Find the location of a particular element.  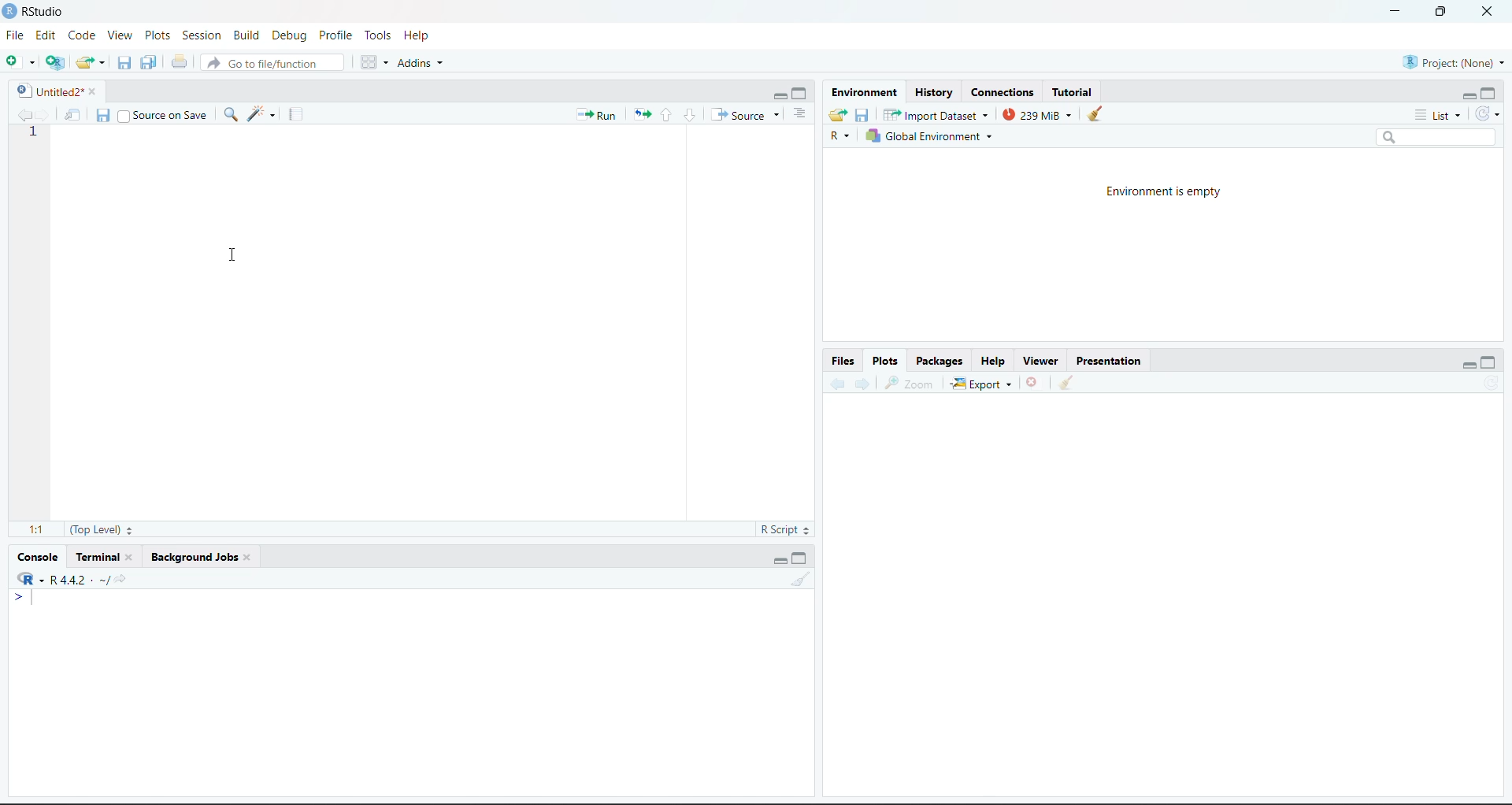

Terminal is located at coordinates (105, 557).